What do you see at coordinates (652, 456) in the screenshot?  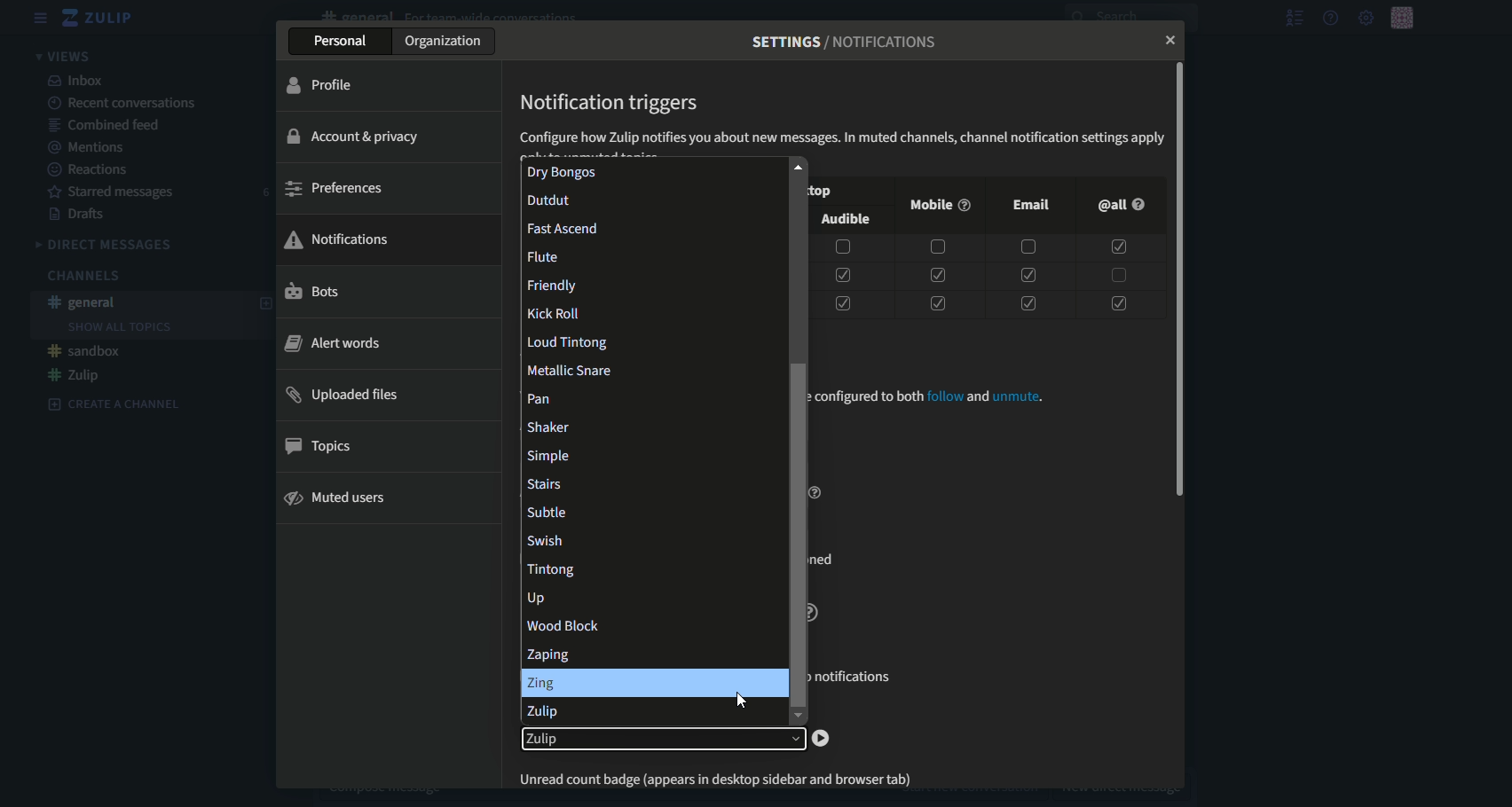 I see `simple` at bounding box center [652, 456].